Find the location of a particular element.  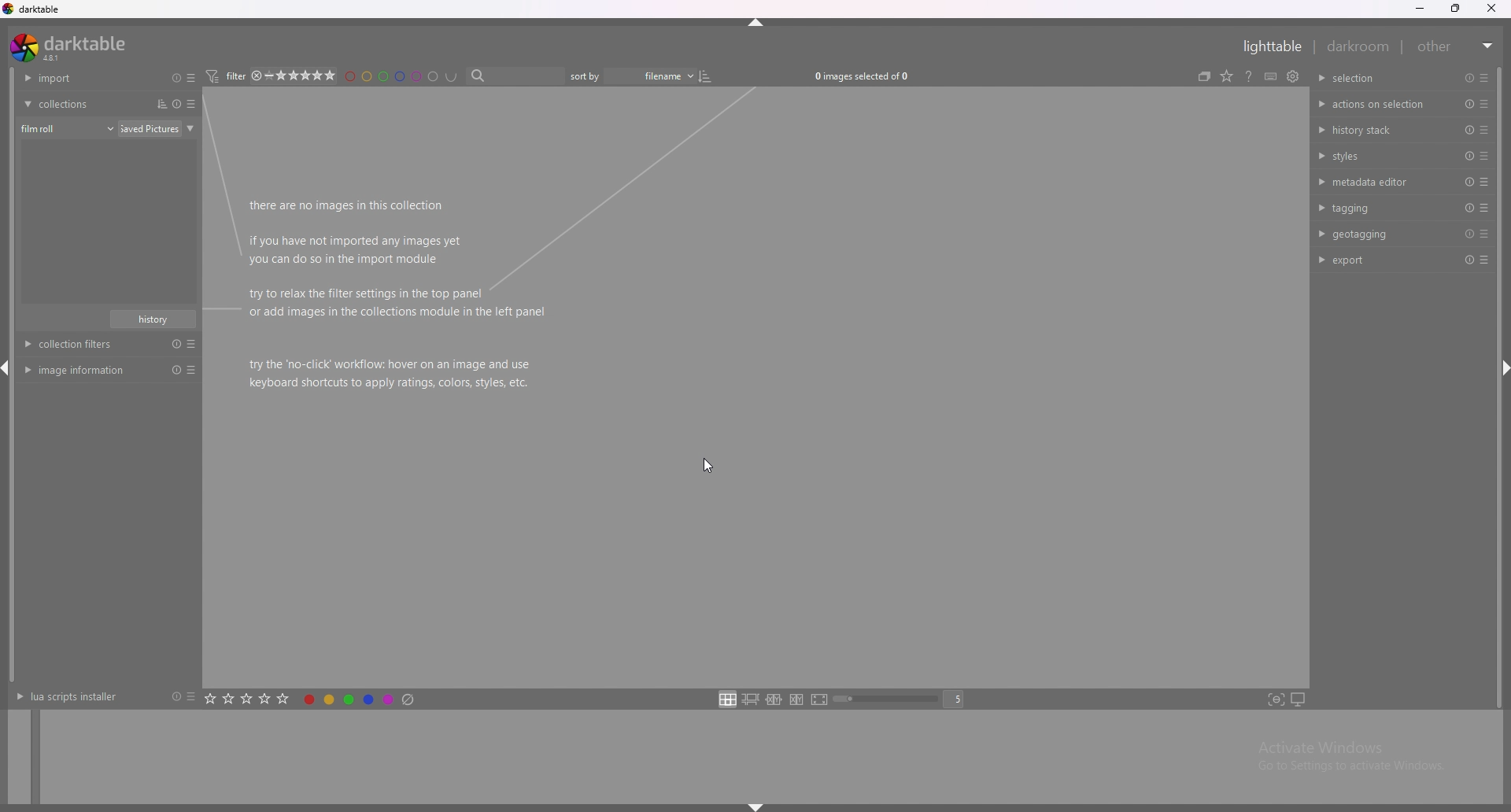

show global preferences is located at coordinates (1312, 75).